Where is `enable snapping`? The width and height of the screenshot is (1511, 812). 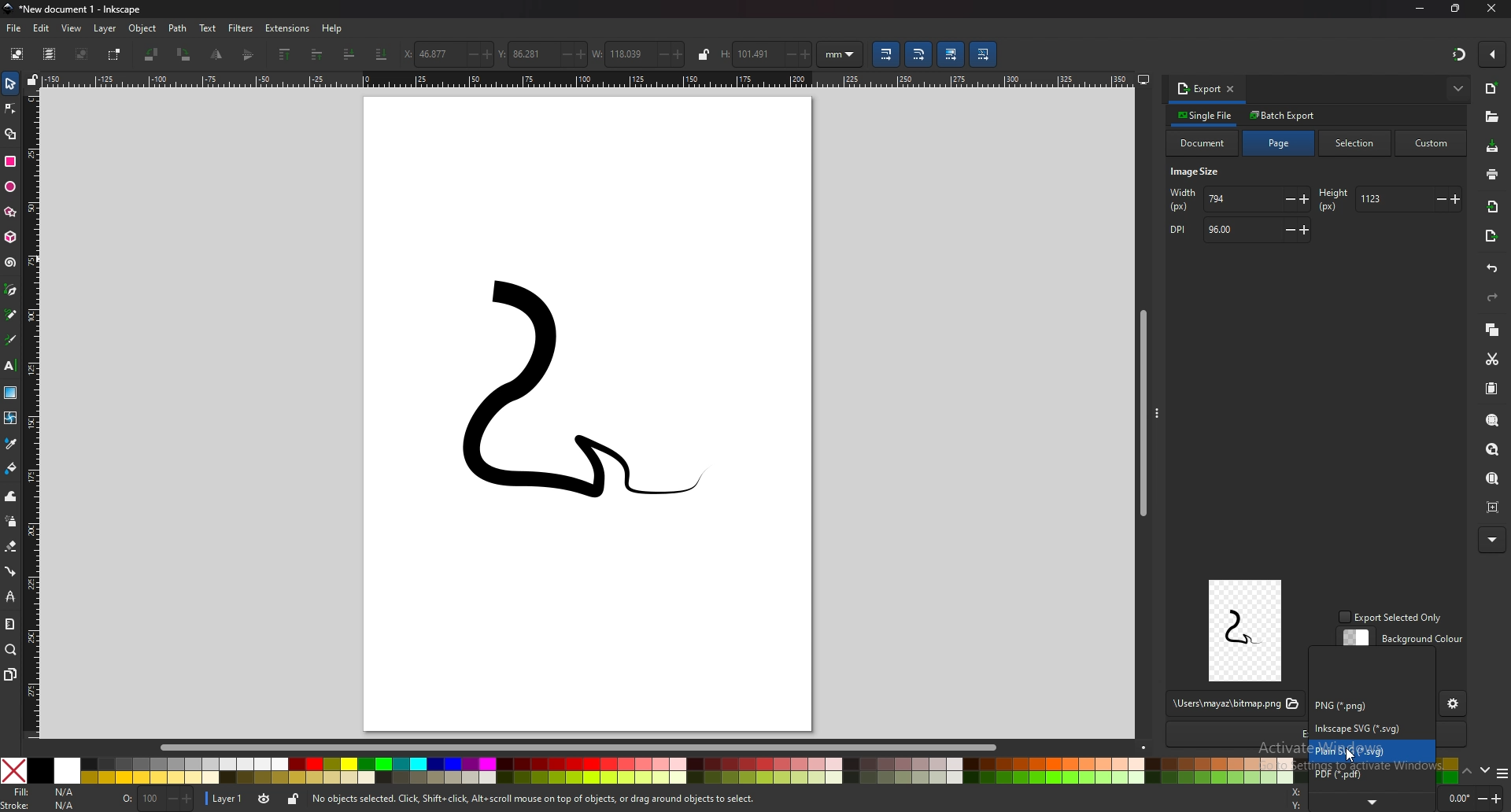
enable snapping is located at coordinates (1491, 54).